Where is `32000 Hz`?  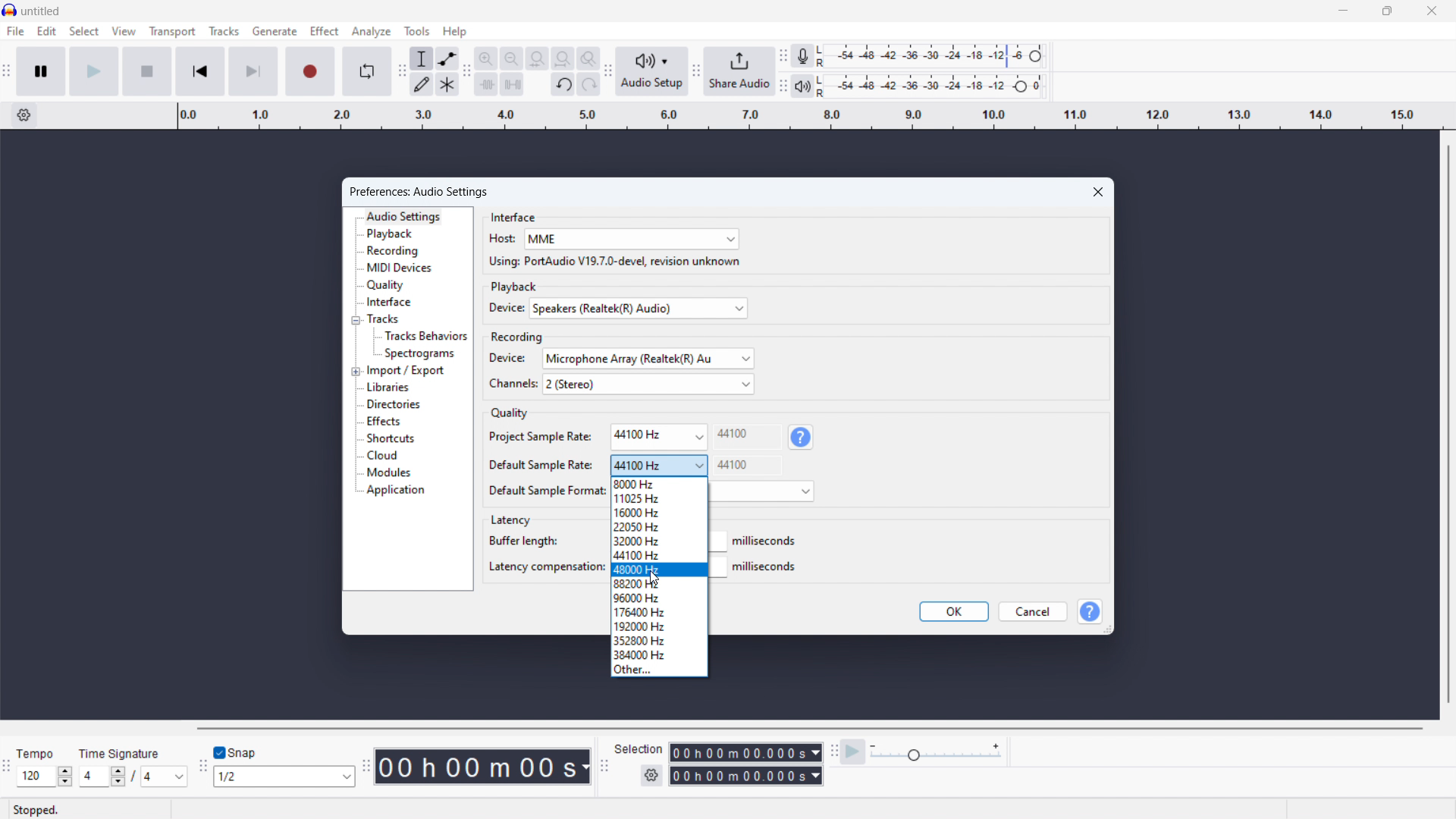 32000 Hz is located at coordinates (658, 541).